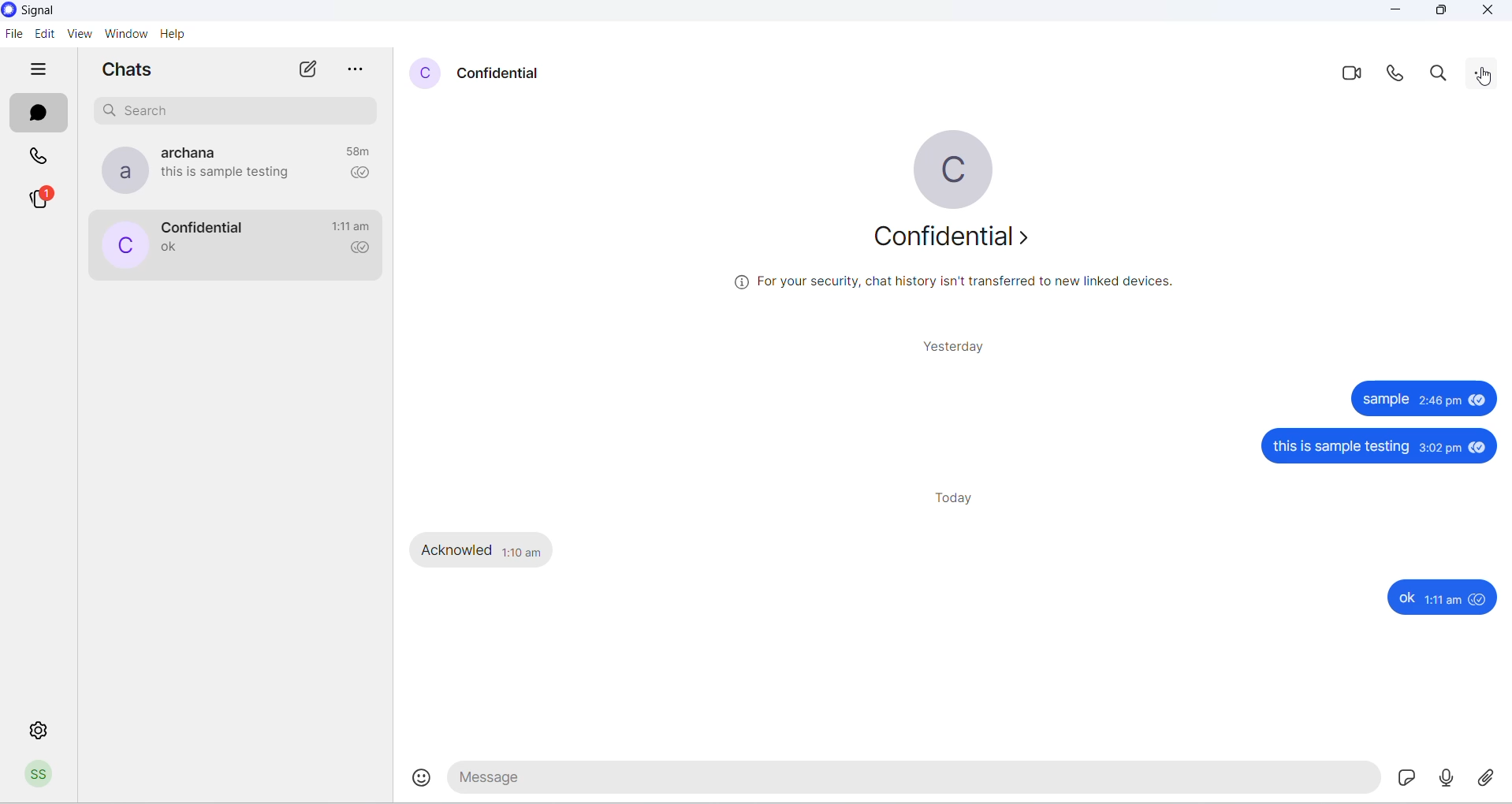  I want to click on 1:11 am, so click(1443, 599).